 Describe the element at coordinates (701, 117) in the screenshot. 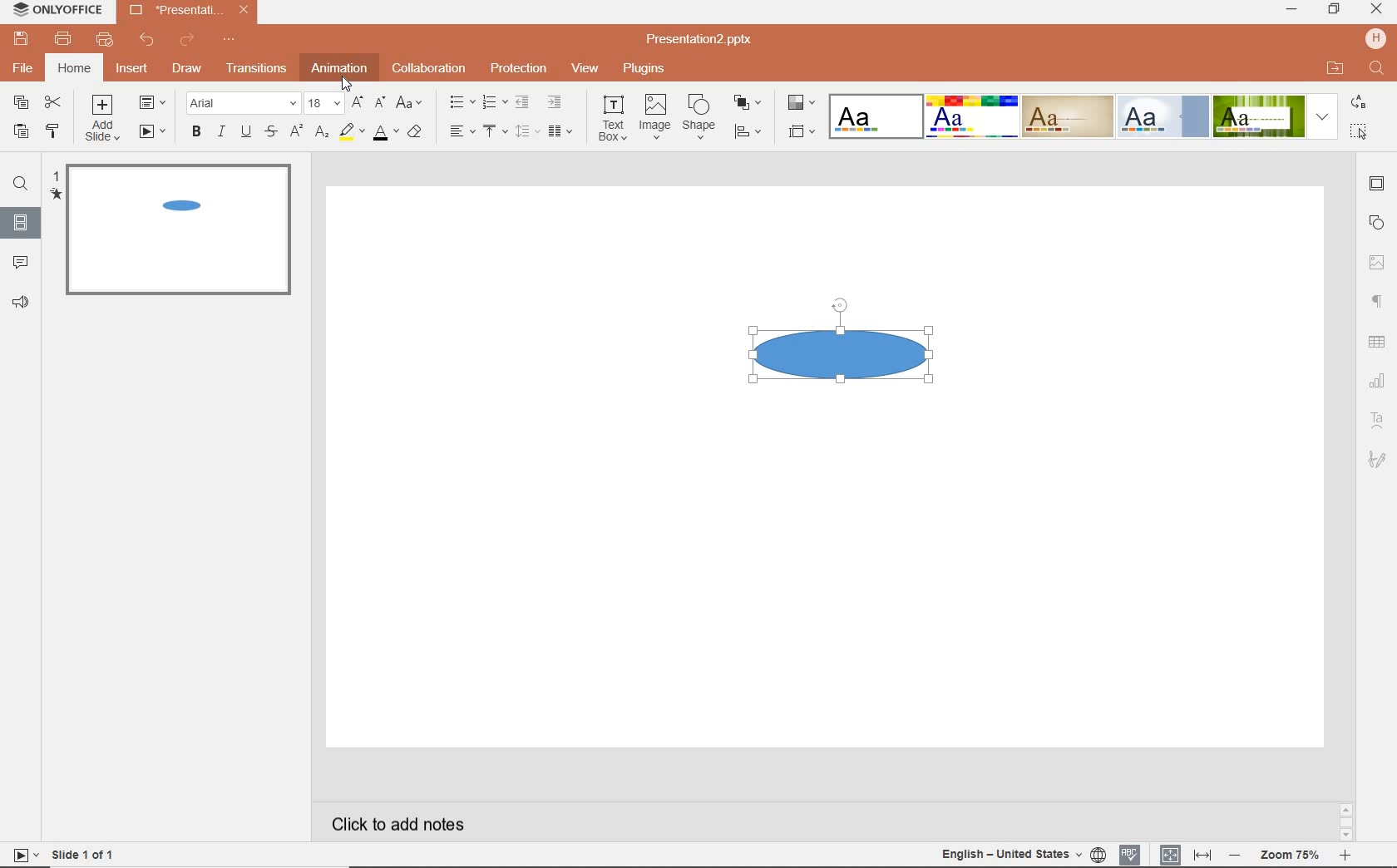

I see `shape` at that location.